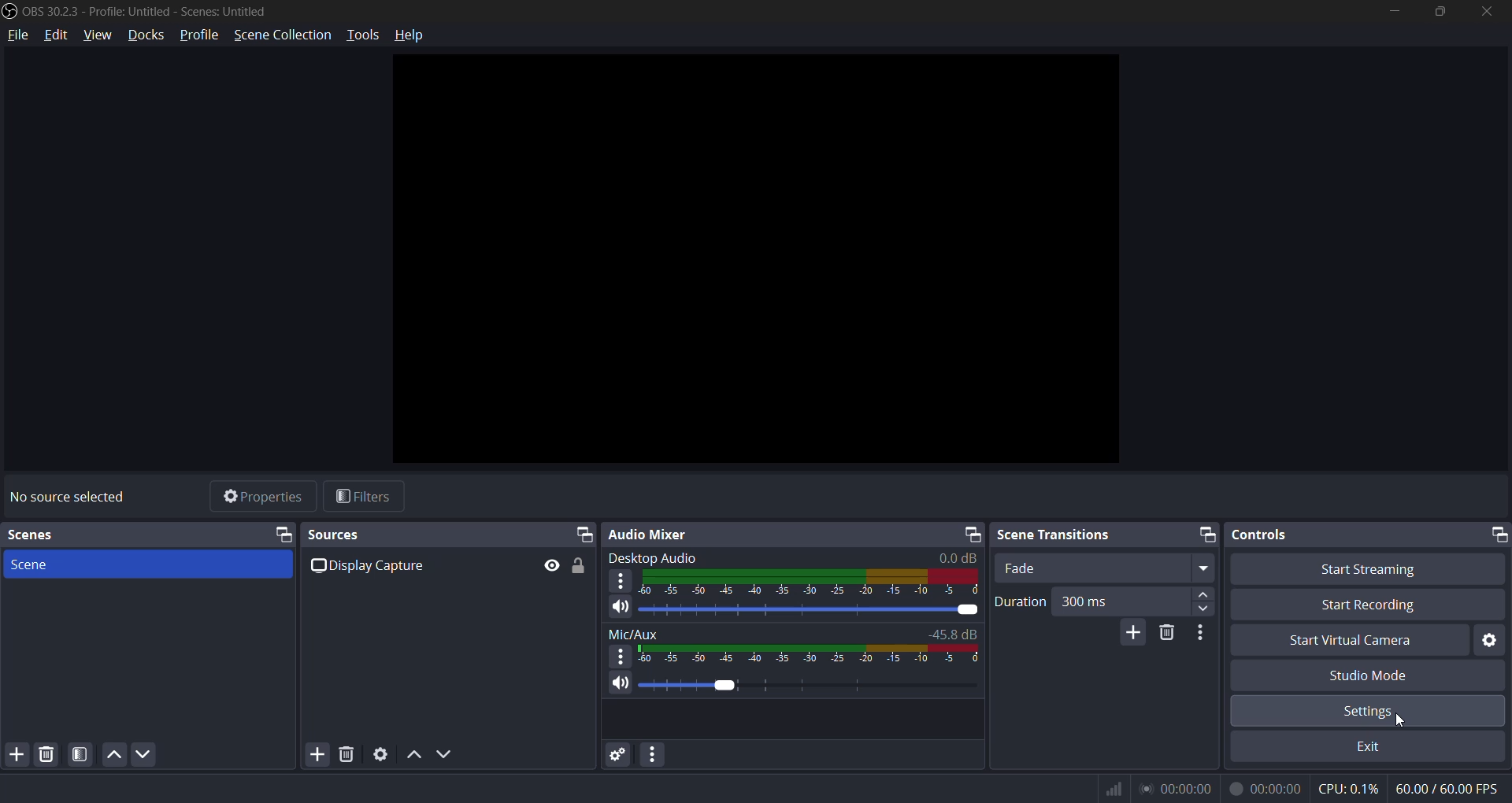  I want to click on exit, so click(1366, 746).